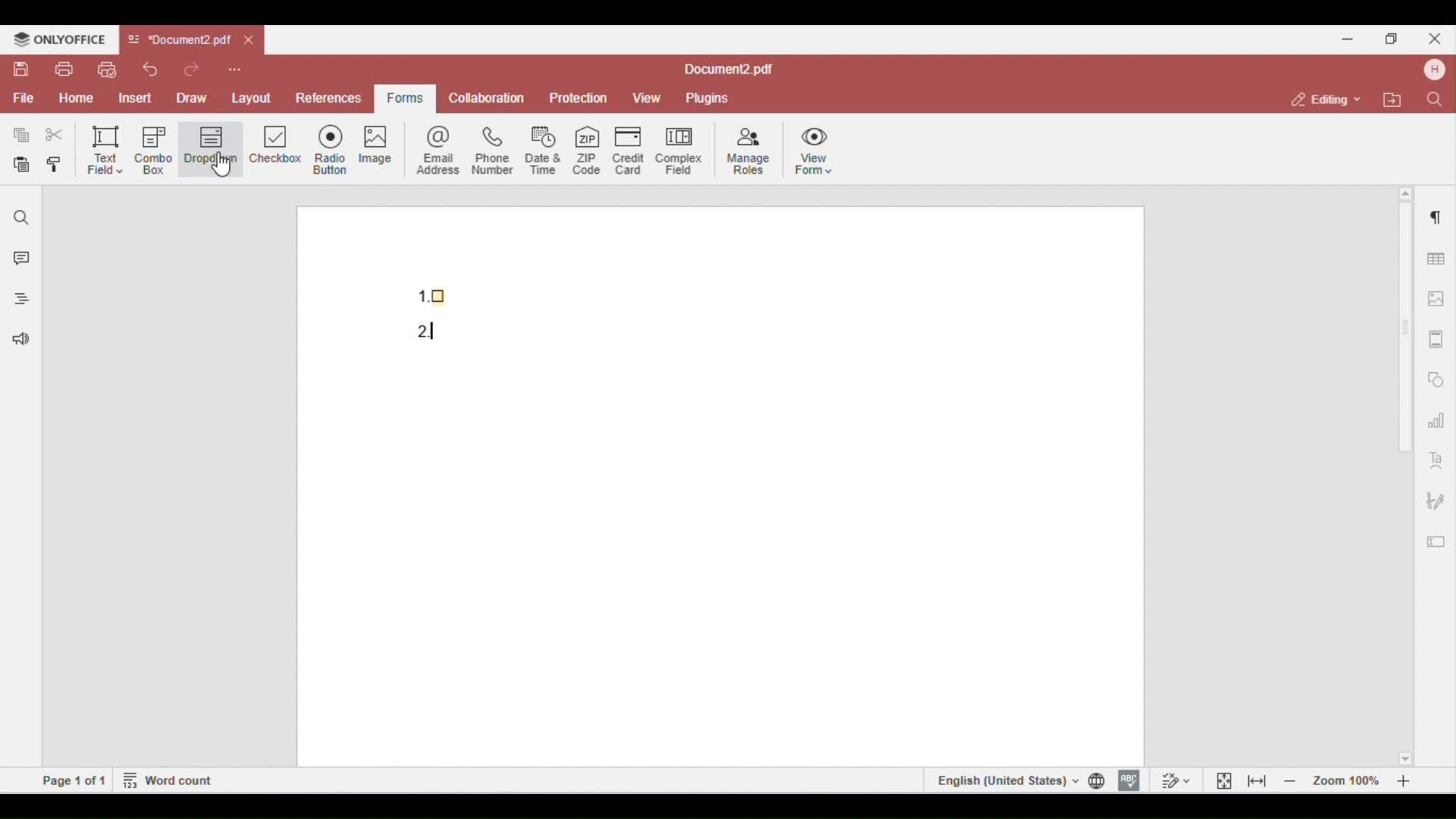 The width and height of the screenshot is (1456, 819). What do you see at coordinates (17, 301) in the screenshot?
I see `headings` at bounding box center [17, 301].